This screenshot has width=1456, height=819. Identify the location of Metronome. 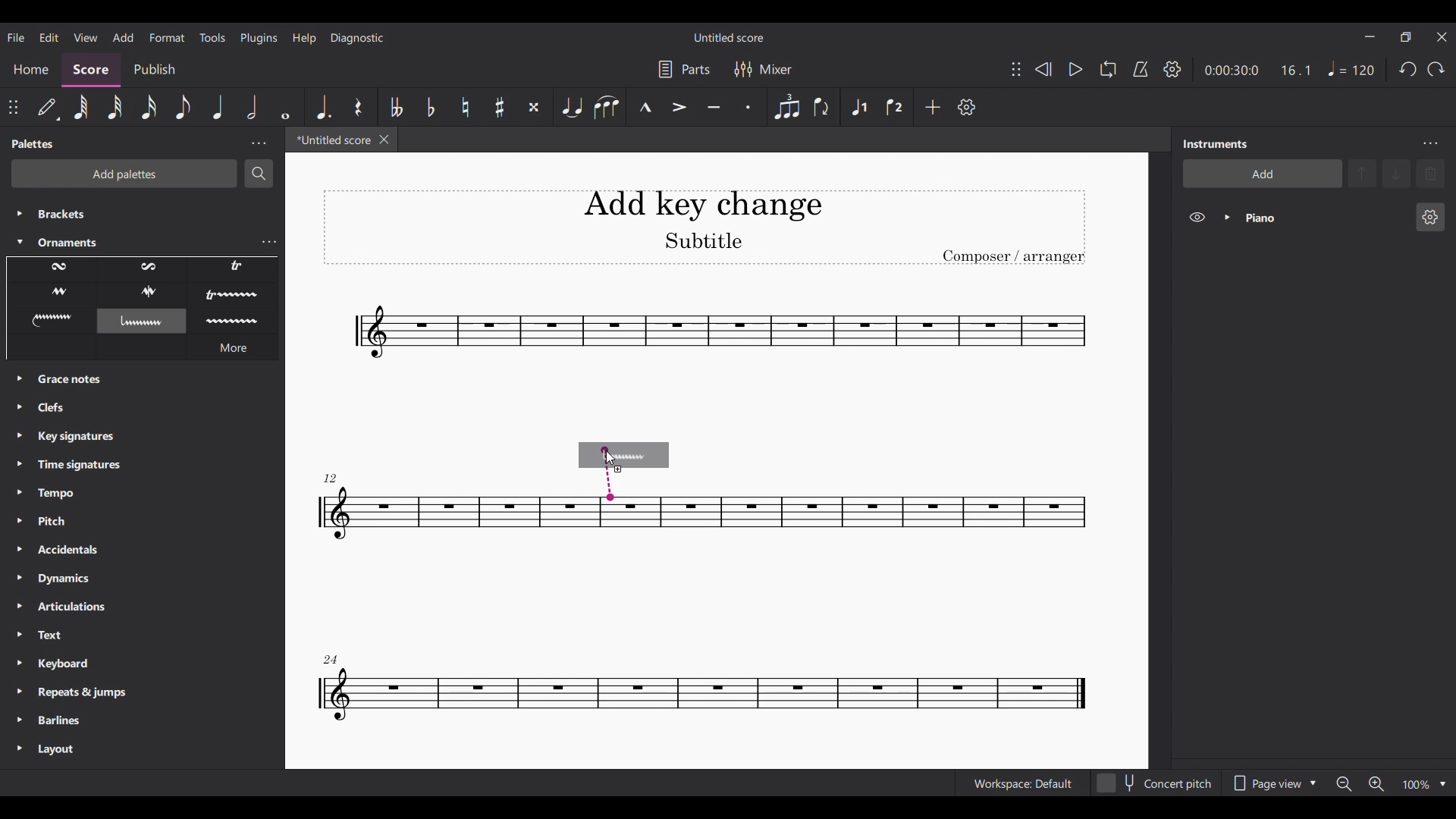
(1141, 69).